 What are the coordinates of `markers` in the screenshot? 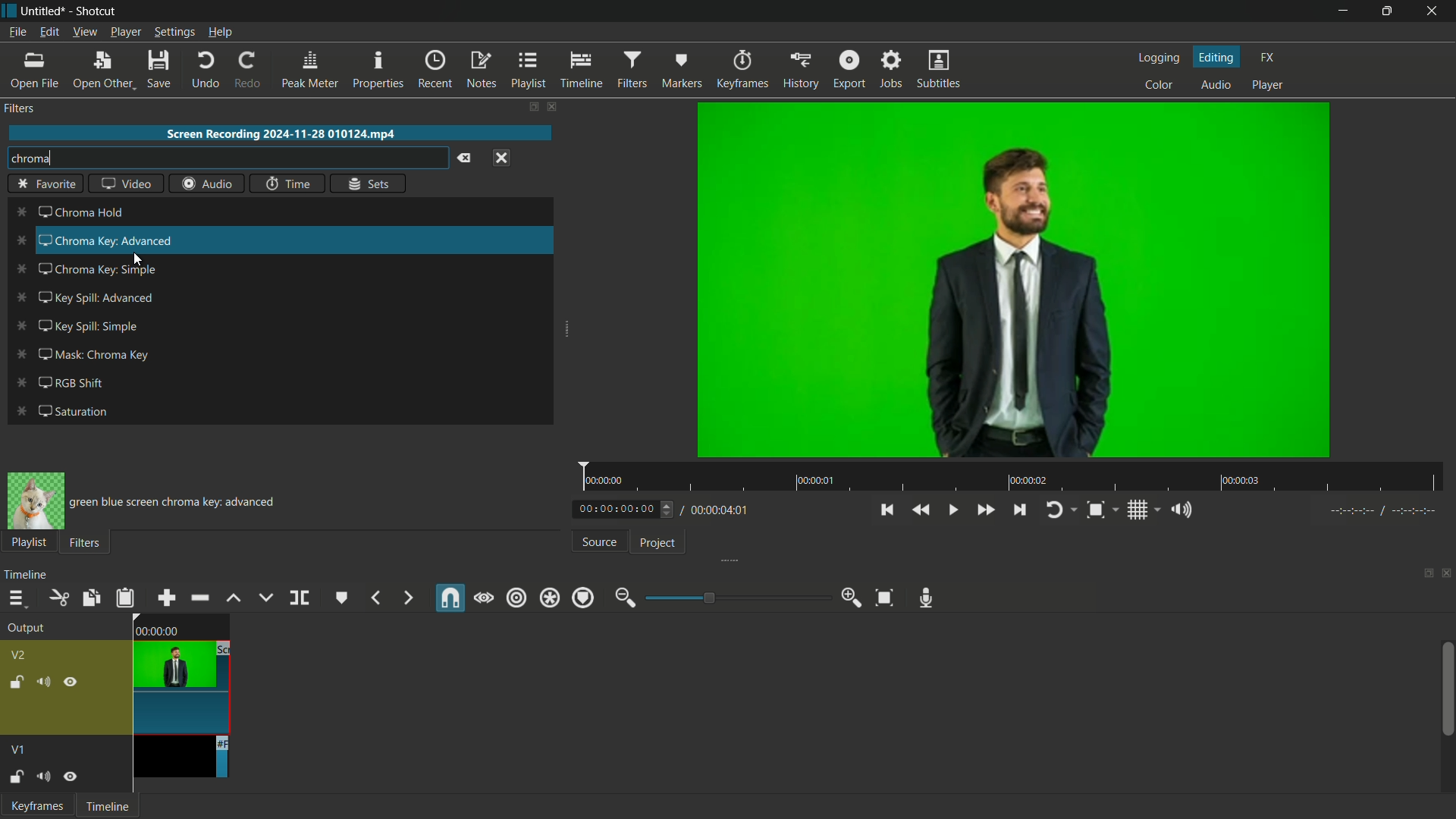 It's located at (680, 70).